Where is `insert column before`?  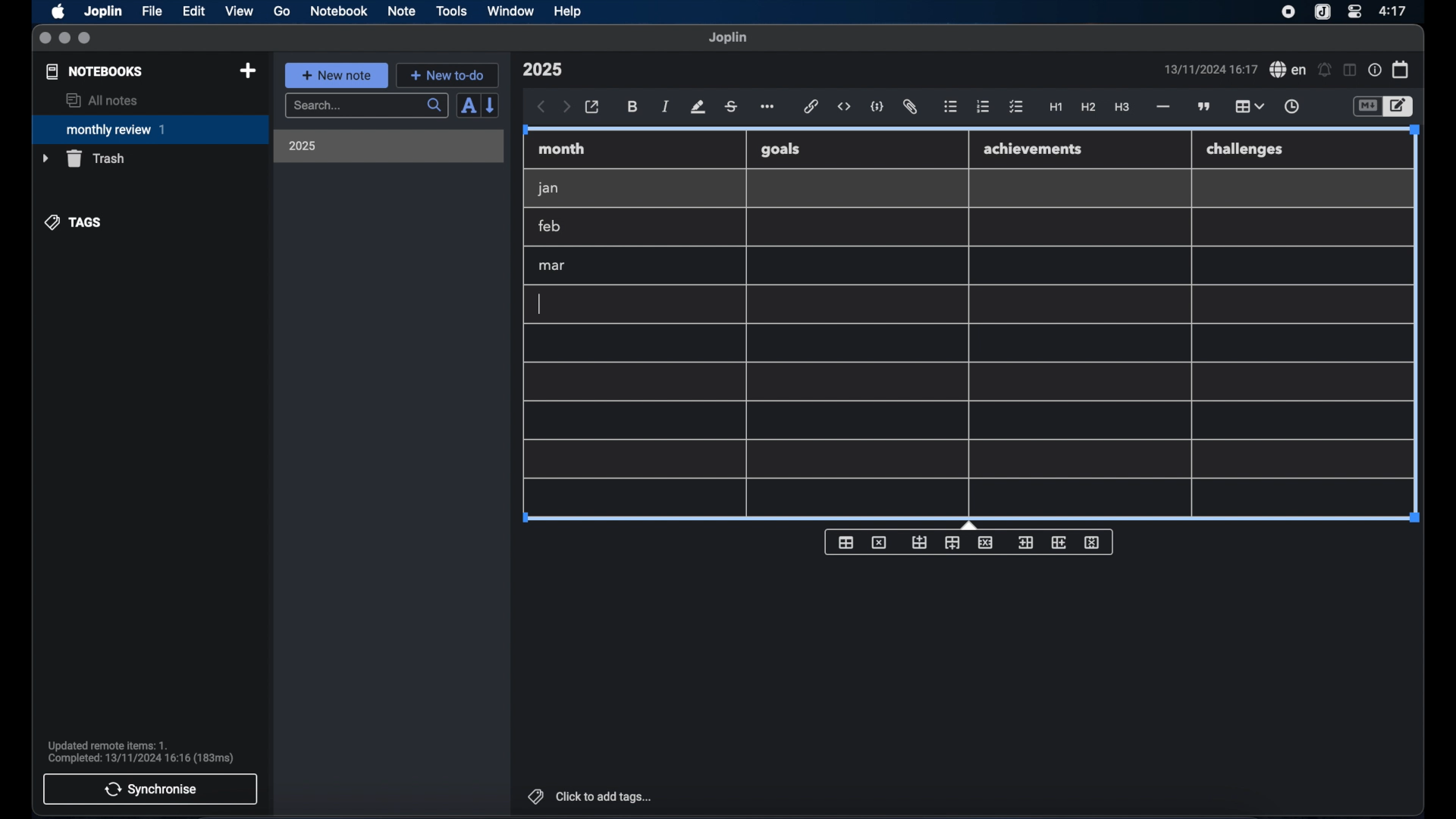
insert column before is located at coordinates (1025, 543).